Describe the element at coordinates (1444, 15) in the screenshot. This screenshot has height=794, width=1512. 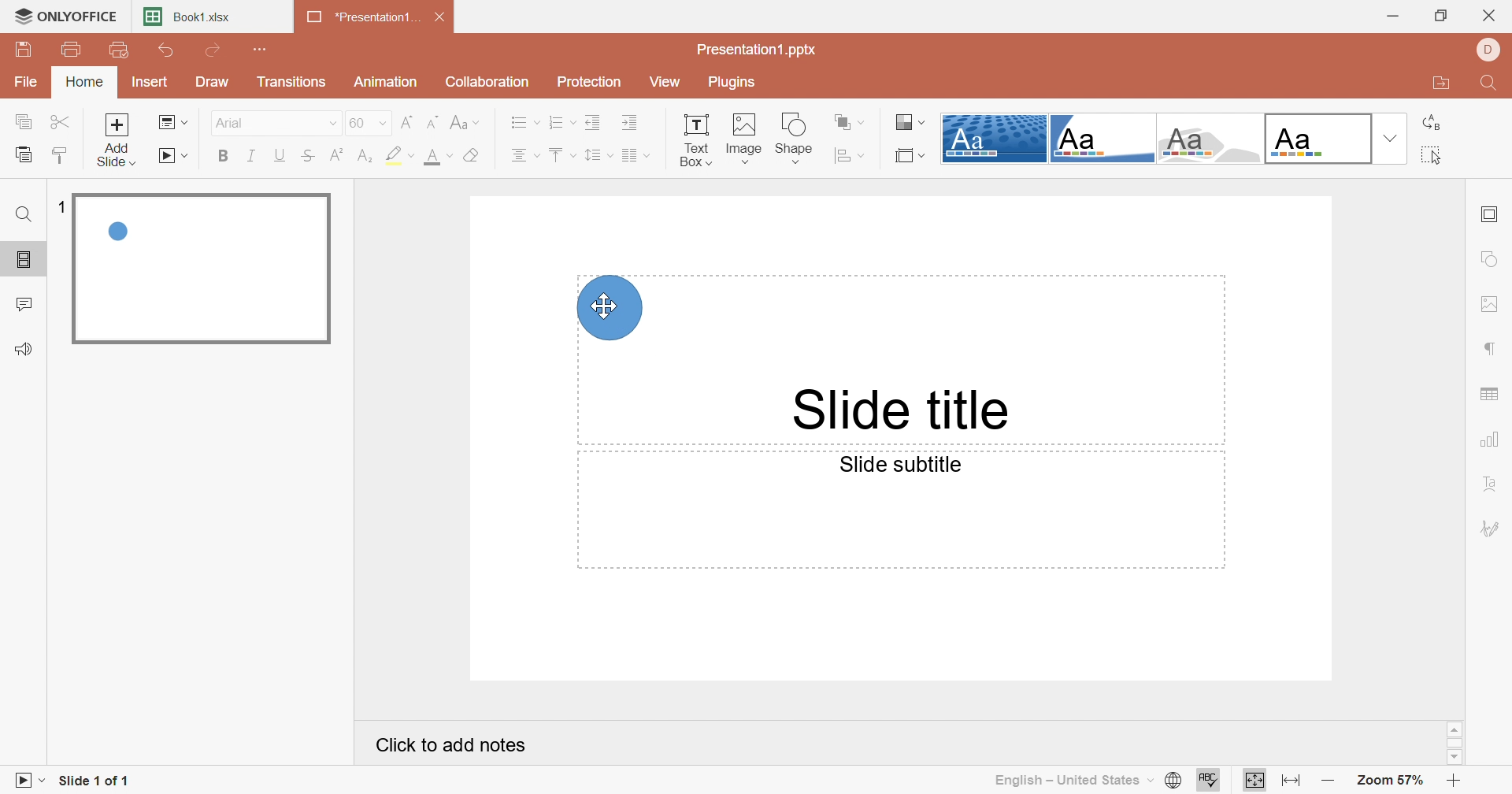
I see `Restore down` at that location.